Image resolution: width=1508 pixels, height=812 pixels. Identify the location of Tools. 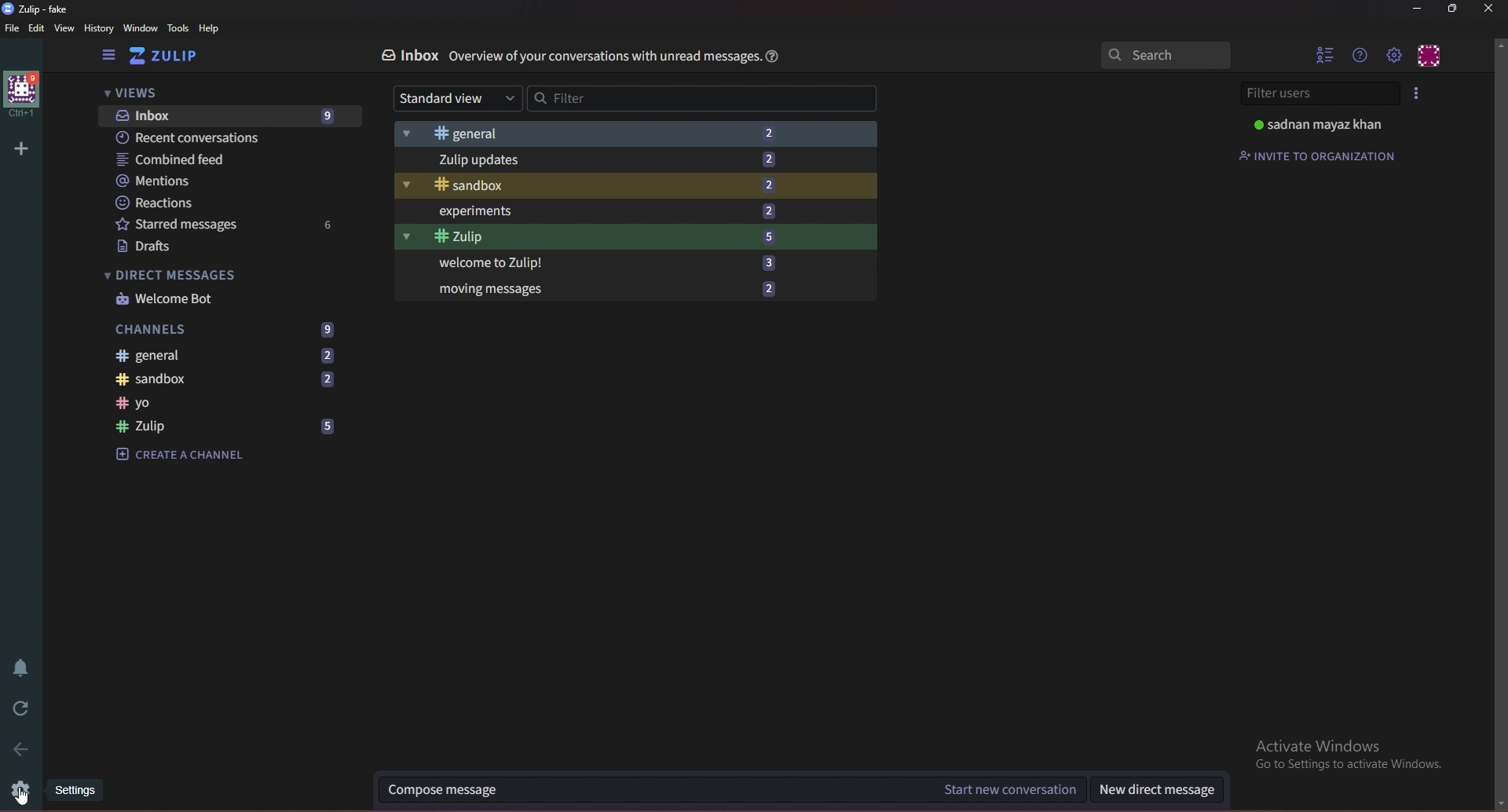
(178, 29).